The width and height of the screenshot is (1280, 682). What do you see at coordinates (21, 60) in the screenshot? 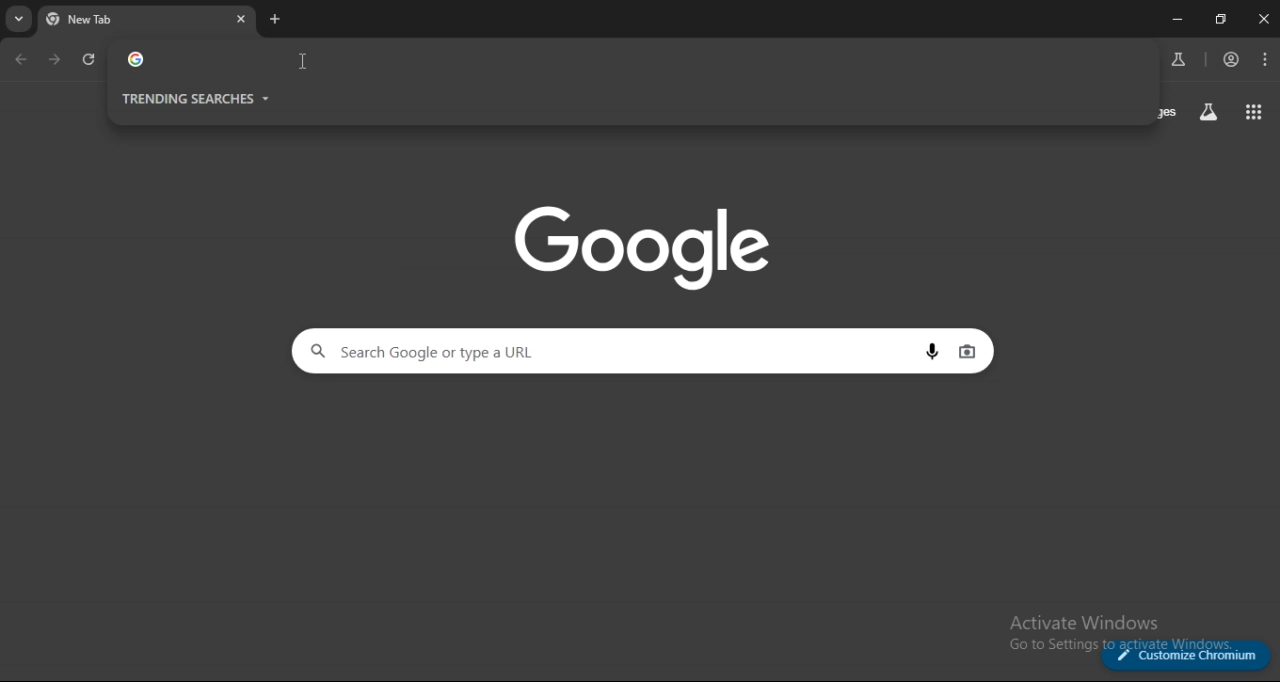
I see `go back one page` at bounding box center [21, 60].